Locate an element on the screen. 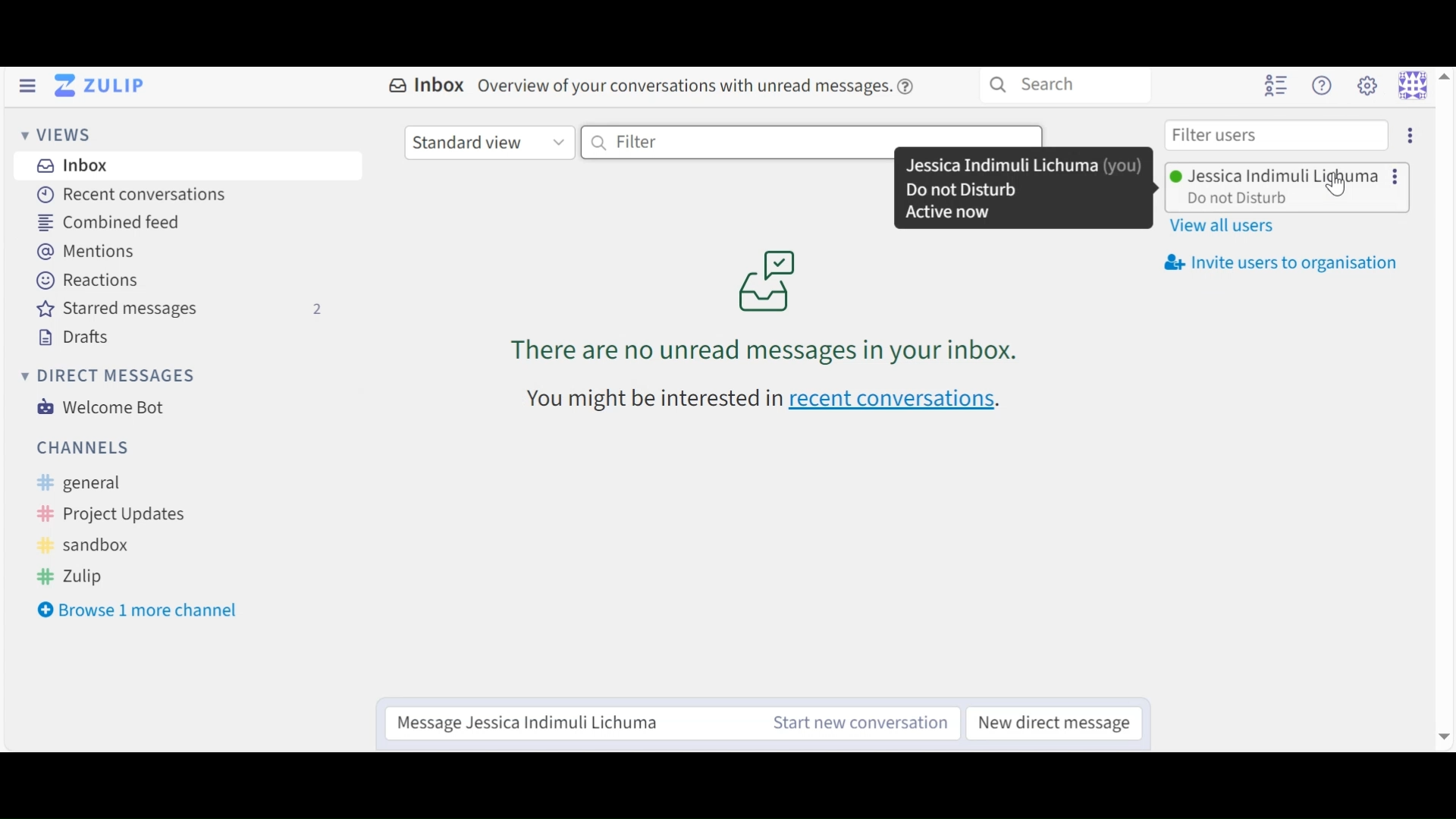  Inbox is located at coordinates (425, 85).